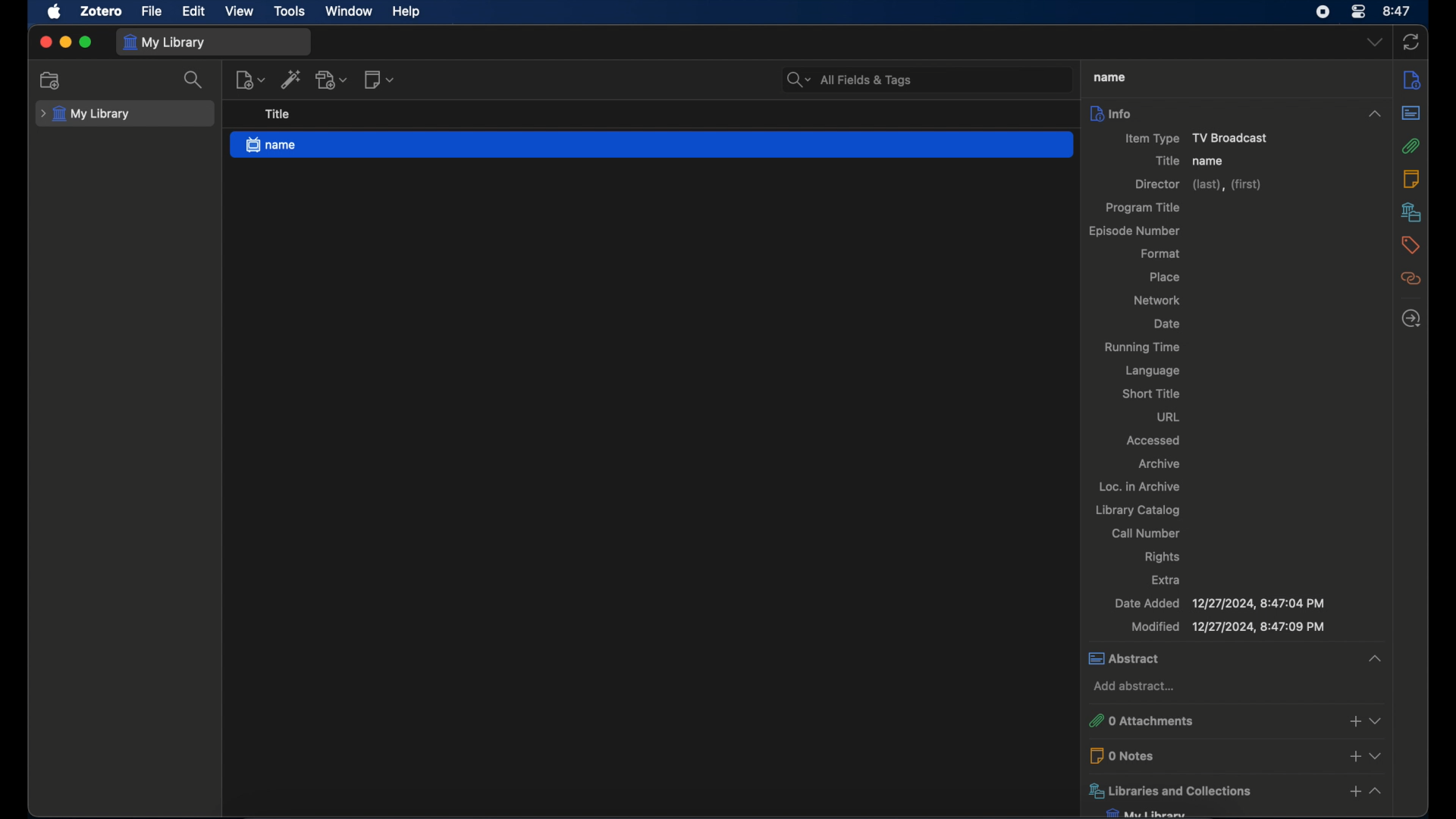  I want to click on dropdown, so click(1378, 754).